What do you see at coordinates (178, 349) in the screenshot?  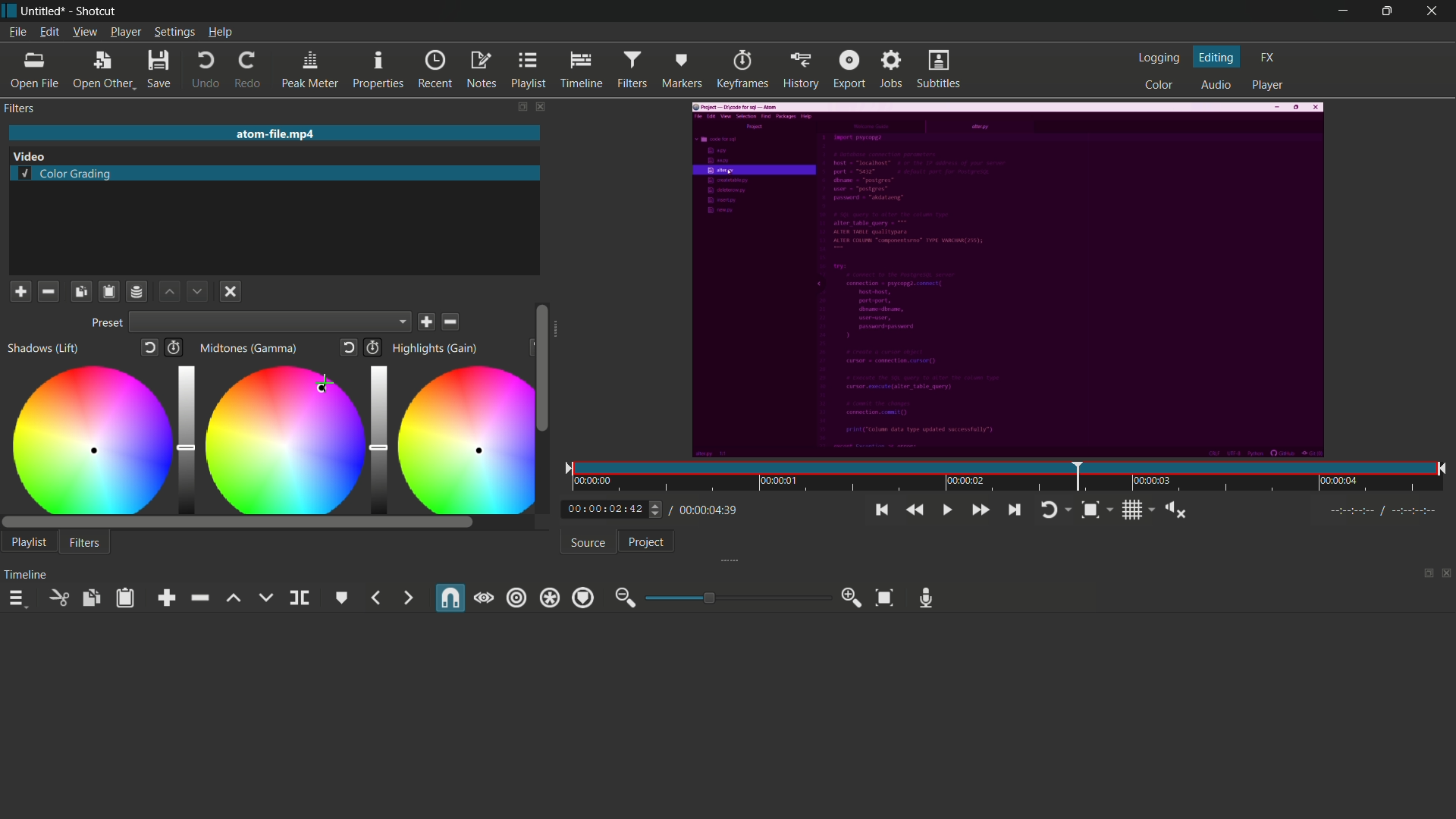 I see `use keyframe for this parameter` at bounding box center [178, 349].